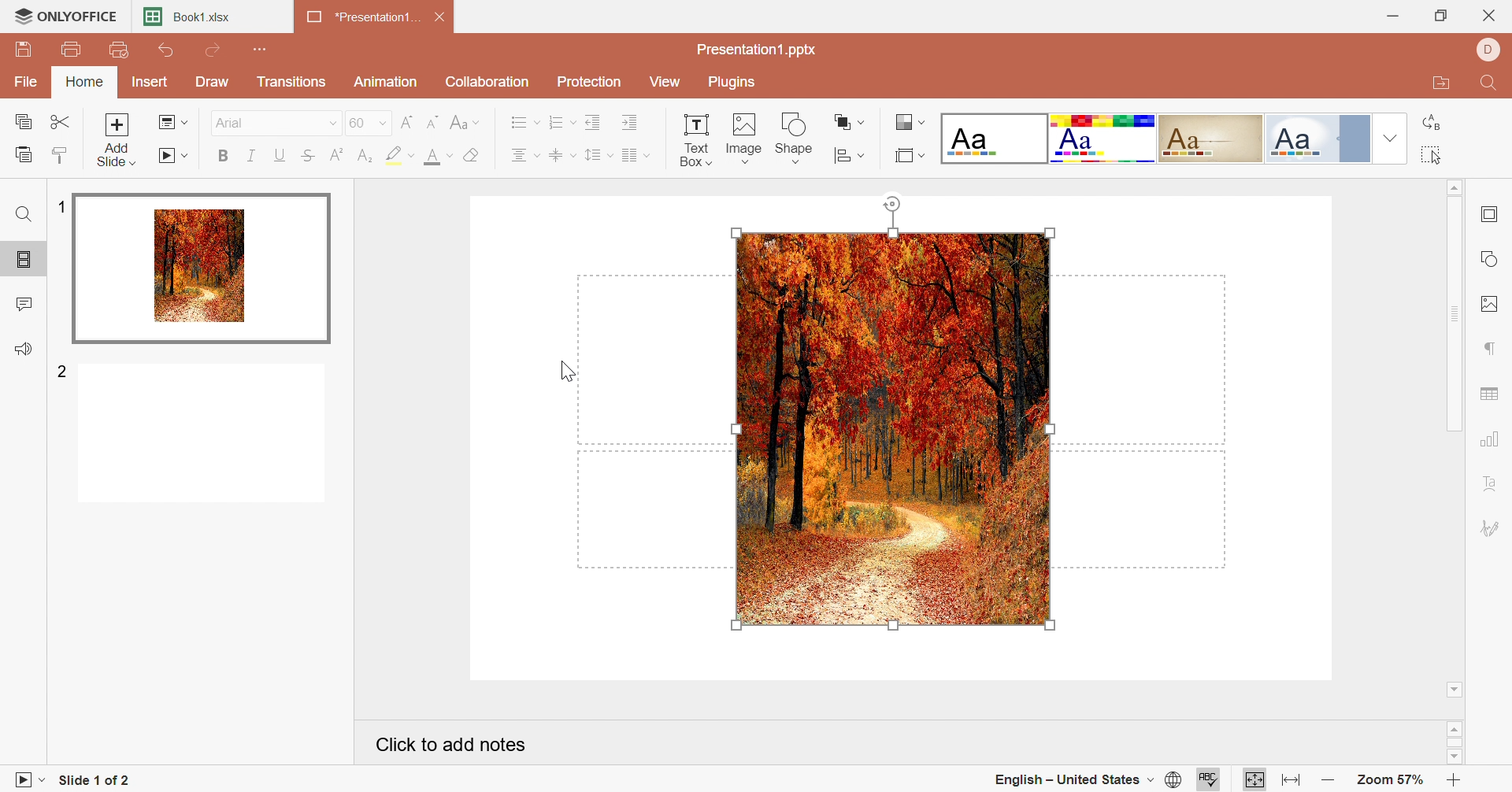 The width and height of the screenshot is (1512, 792). I want to click on Plugins, so click(735, 83).